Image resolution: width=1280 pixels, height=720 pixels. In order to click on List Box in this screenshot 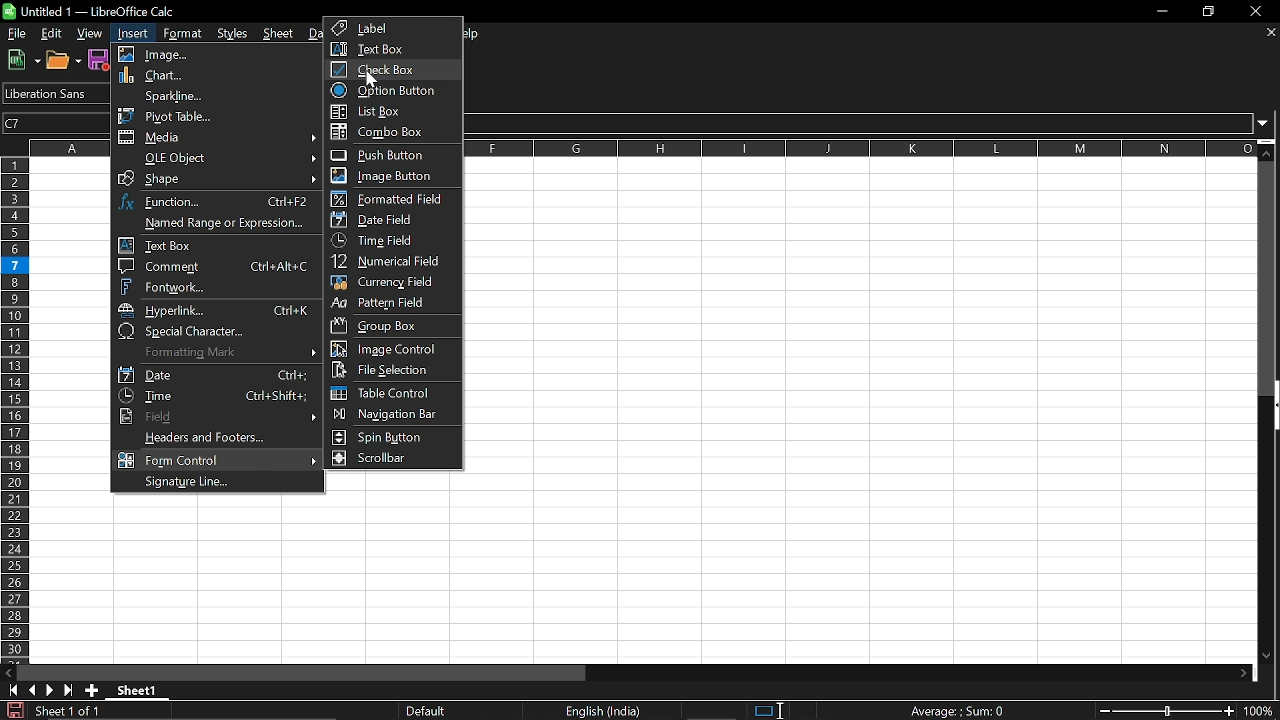, I will do `click(395, 112)`.